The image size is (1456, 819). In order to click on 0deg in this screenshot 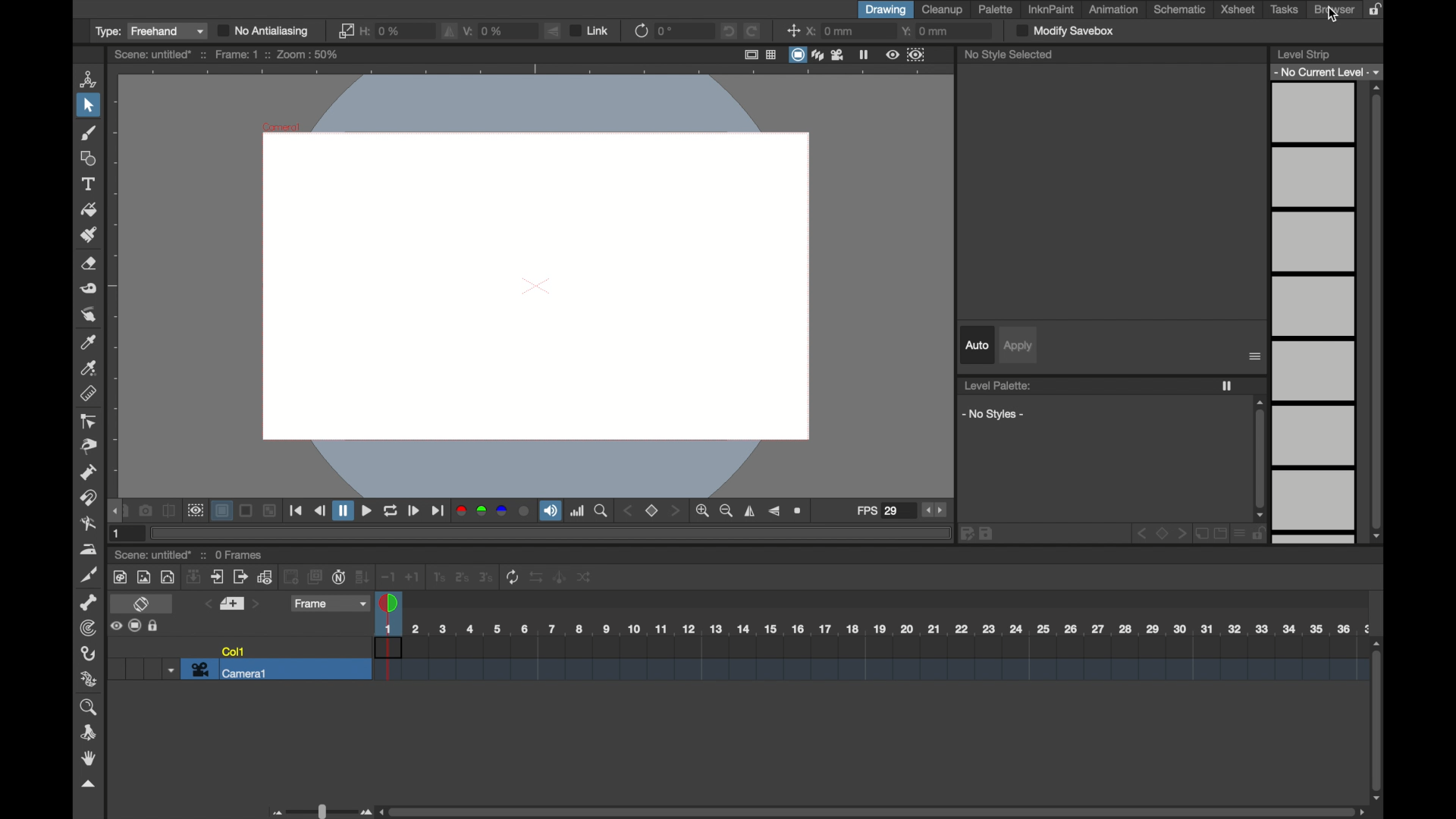, I will do `click(667, 32)`.